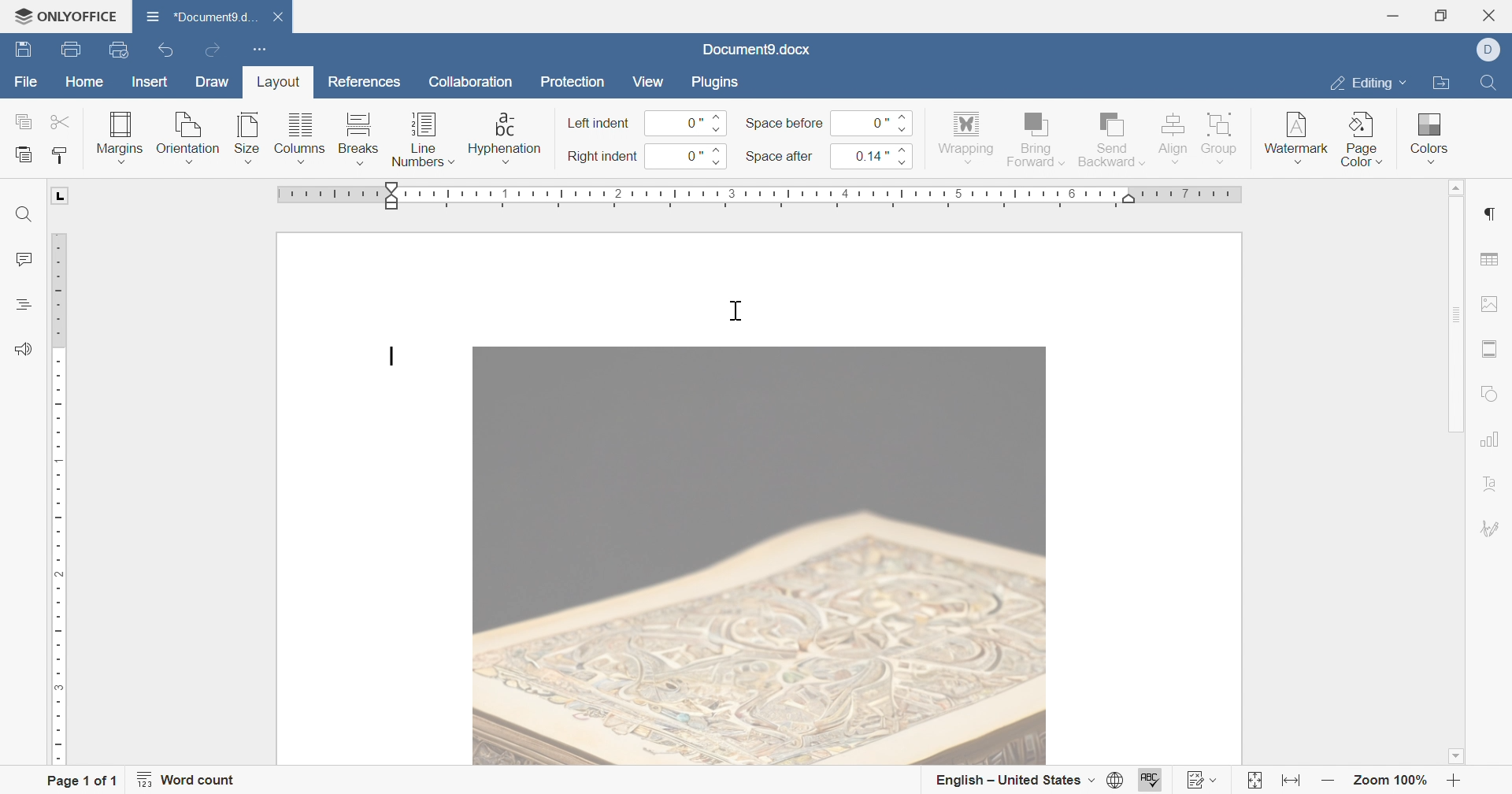 The image size is (1512, 794). Describe the element at coordinates (1494, 15) in the screenshot. I see `close` at that location.